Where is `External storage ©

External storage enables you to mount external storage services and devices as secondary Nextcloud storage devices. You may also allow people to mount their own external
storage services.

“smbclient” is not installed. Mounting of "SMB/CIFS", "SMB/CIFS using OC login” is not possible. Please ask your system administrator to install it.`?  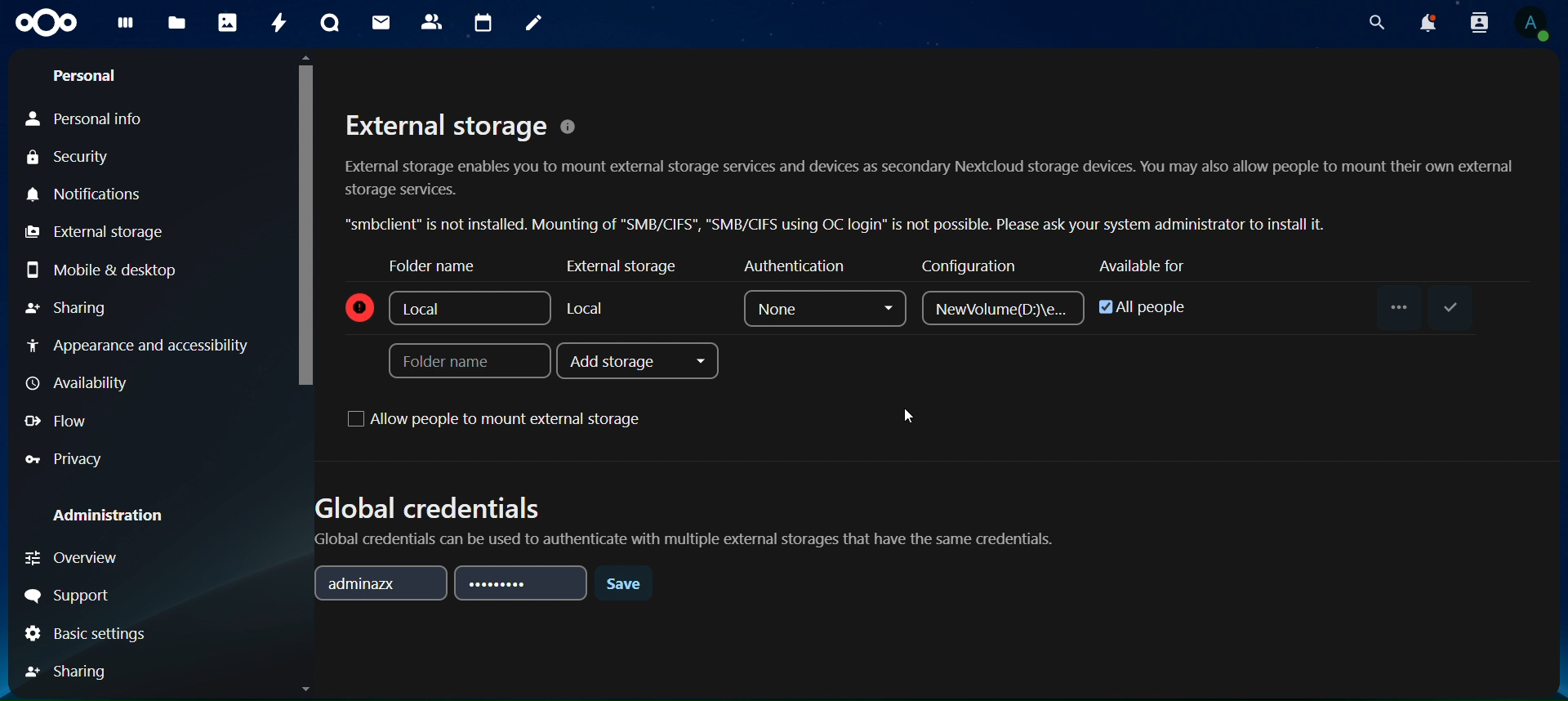
External storage ©

External storage enables you to mount external storage services and devices as secondary Nextcloud storage devices. You may also allow people to mount their own external
storage services.

“smbclient” is not installed. Mounting of "SMB/CIFS", "SMB/CIFS using OC login” is not possible. Please ask your system administrator to install it. is located at coordinates (929, 170).